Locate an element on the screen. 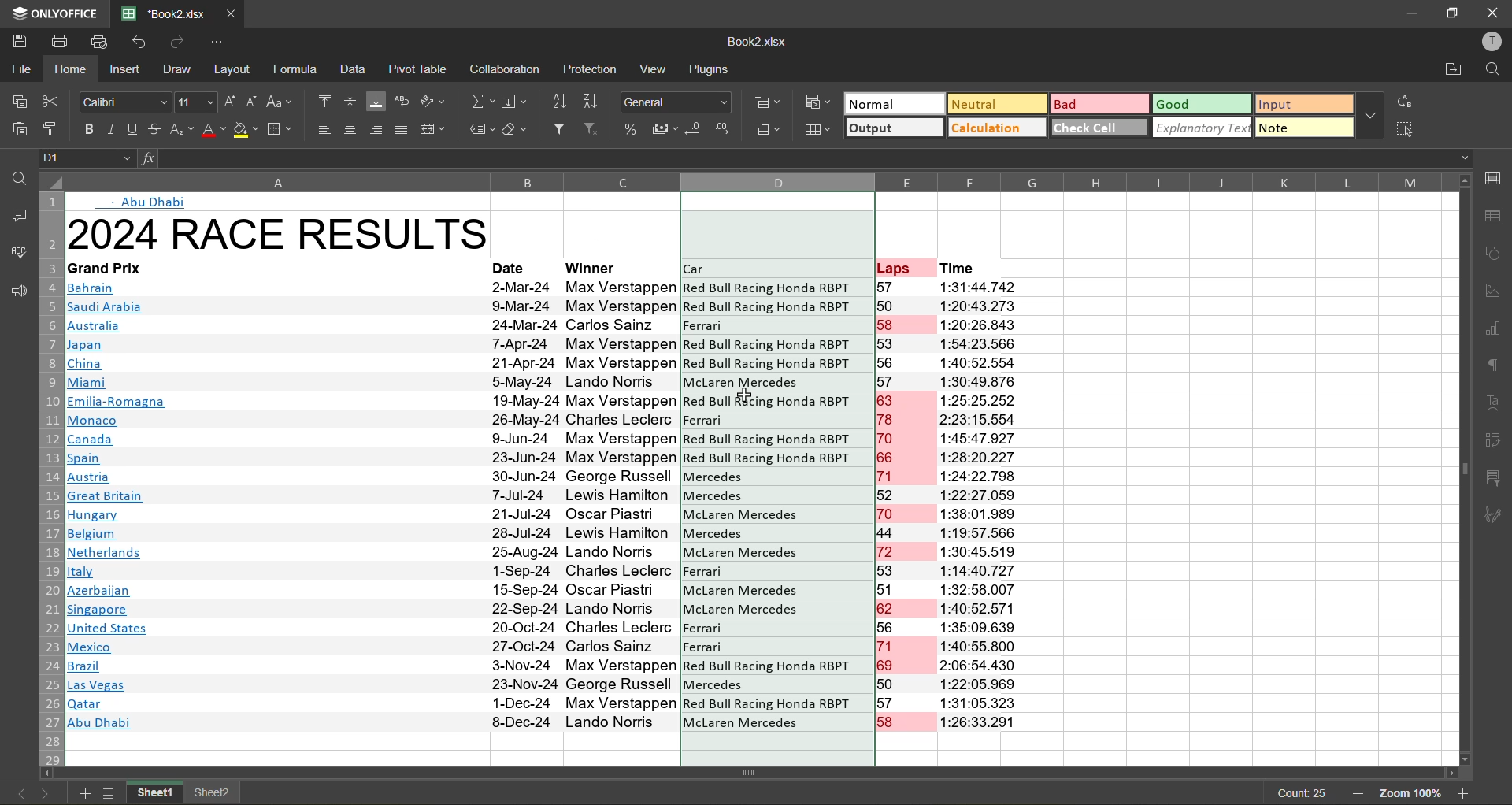 The width and height of the screenshot is (1512, 805). collaboration is located at coordinates (509, 71).